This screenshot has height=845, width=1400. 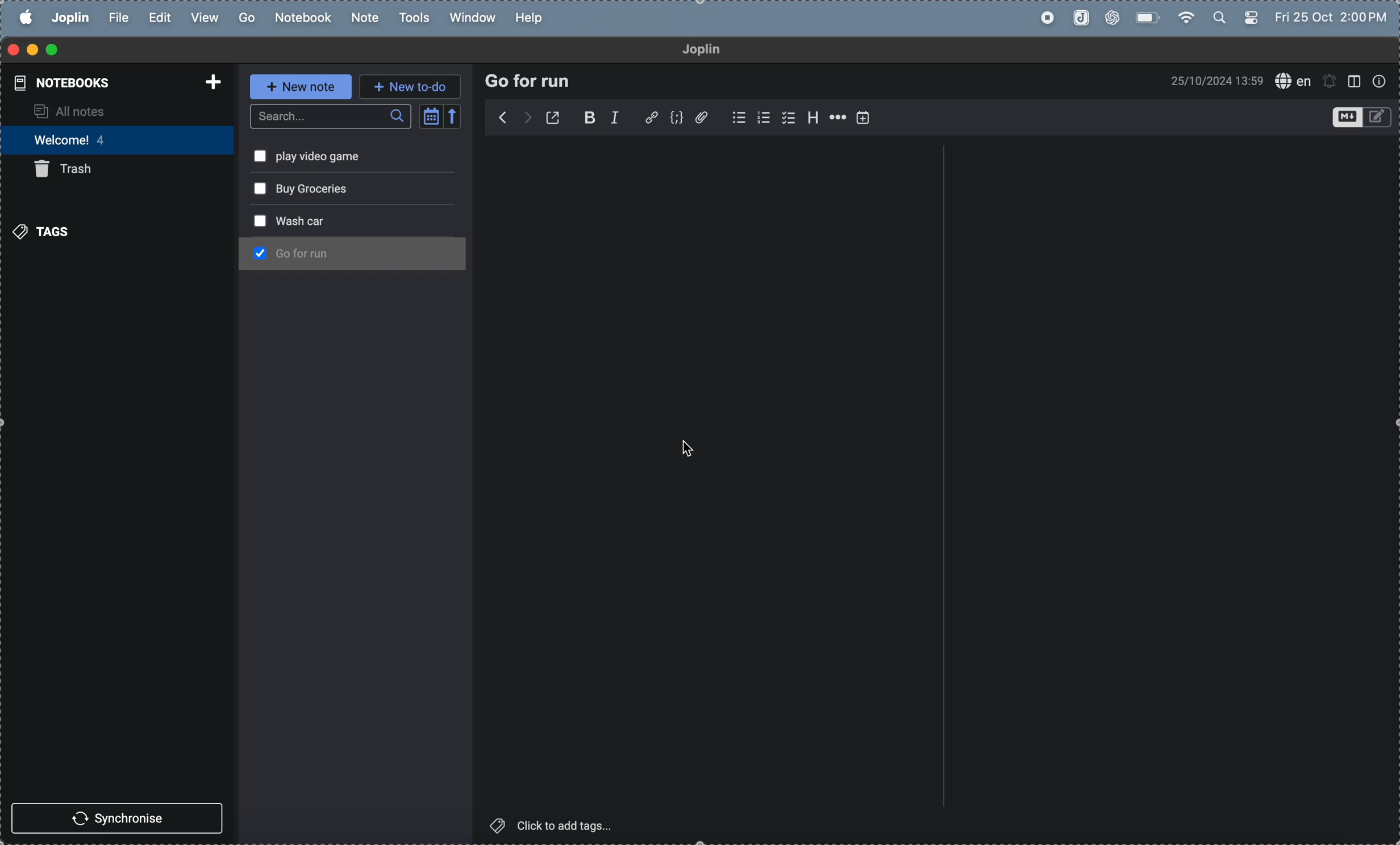 What do you see at coordinates (866, 117) in the screenshot?
I see `add timmings` at bounding box center [866, 117].